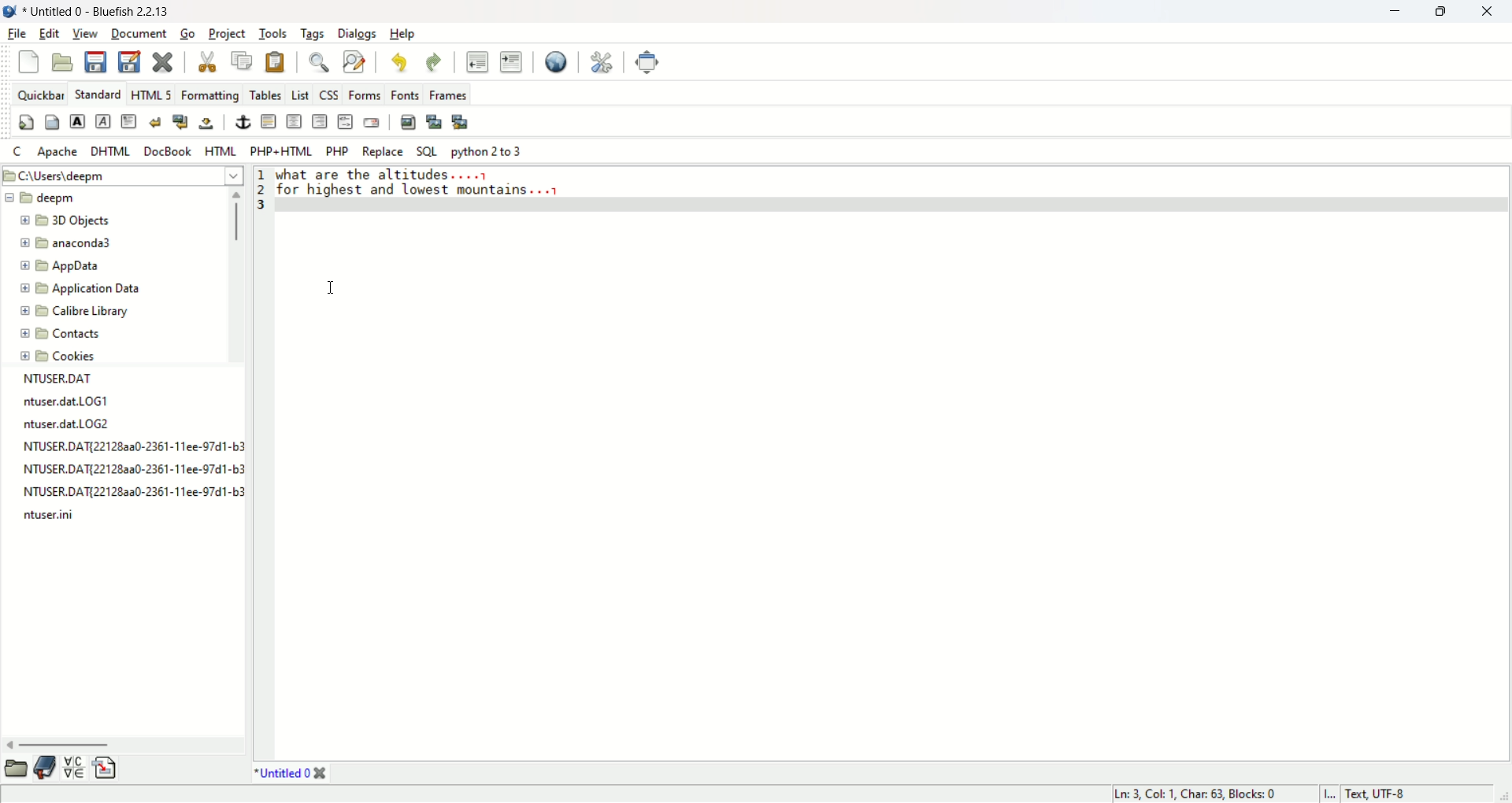 The height and width of the screenshot is (803, 1512). Describe the element at coordinates (28, 123) in the screenshot. I see `quickstart` at that location.